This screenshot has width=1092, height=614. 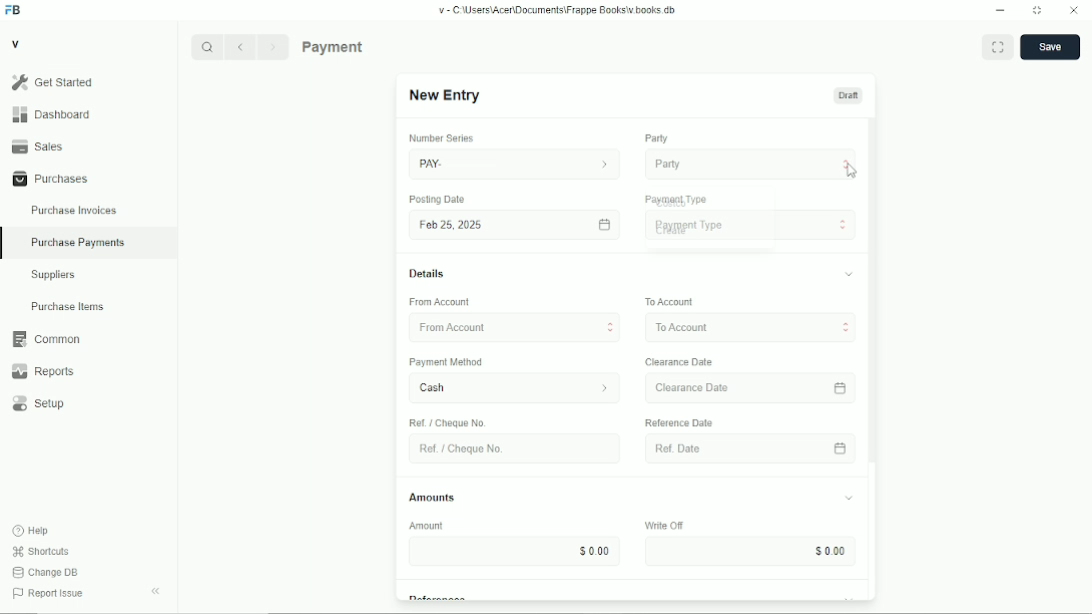 What do you see at coordinates (509, 449) in the screenshot?
I see `Ret. Choque No.` at bounding box center [509, 449].